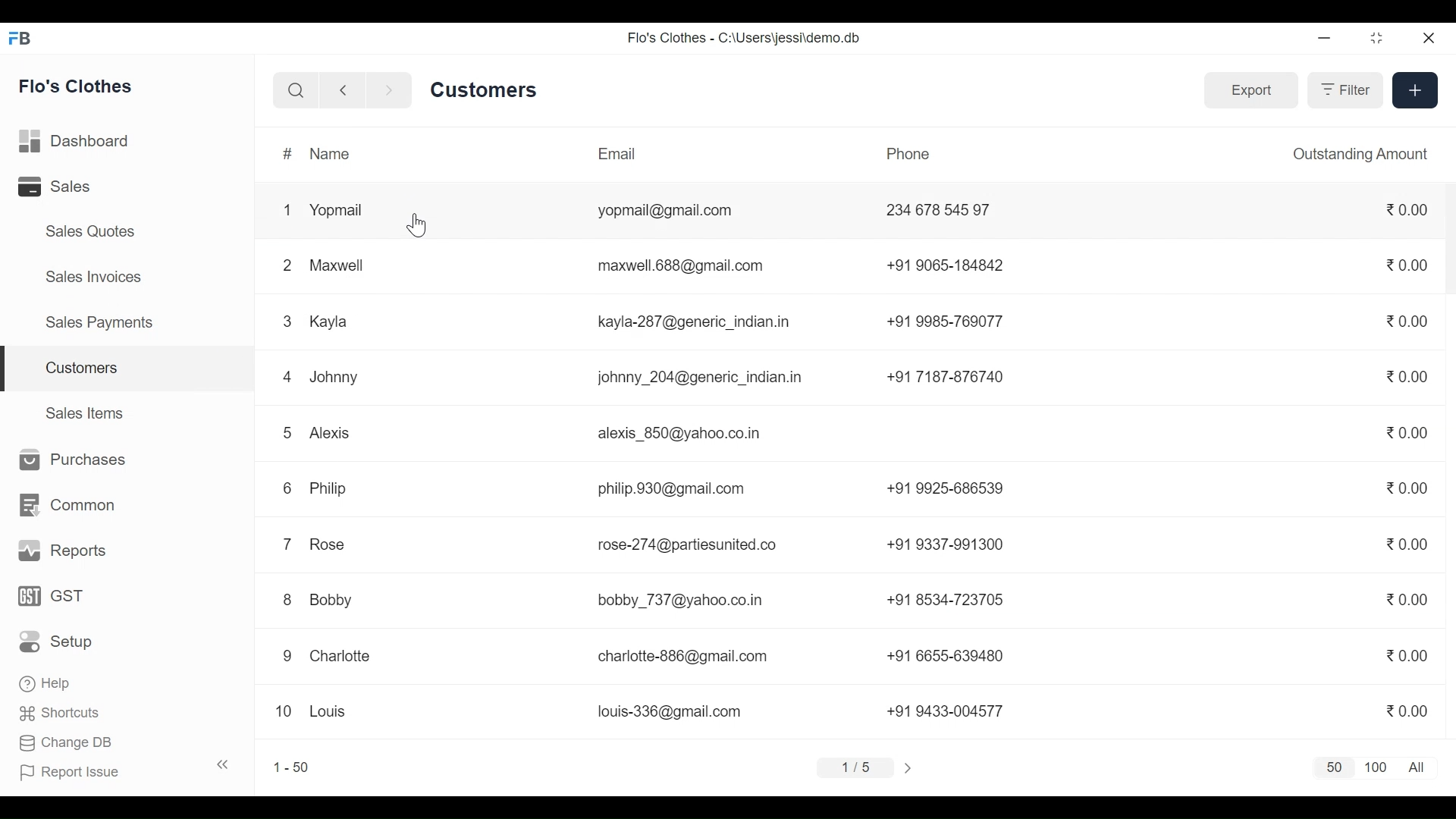 The image size is (1456, 819). I want to click on Report Issue, so click(117, 769).